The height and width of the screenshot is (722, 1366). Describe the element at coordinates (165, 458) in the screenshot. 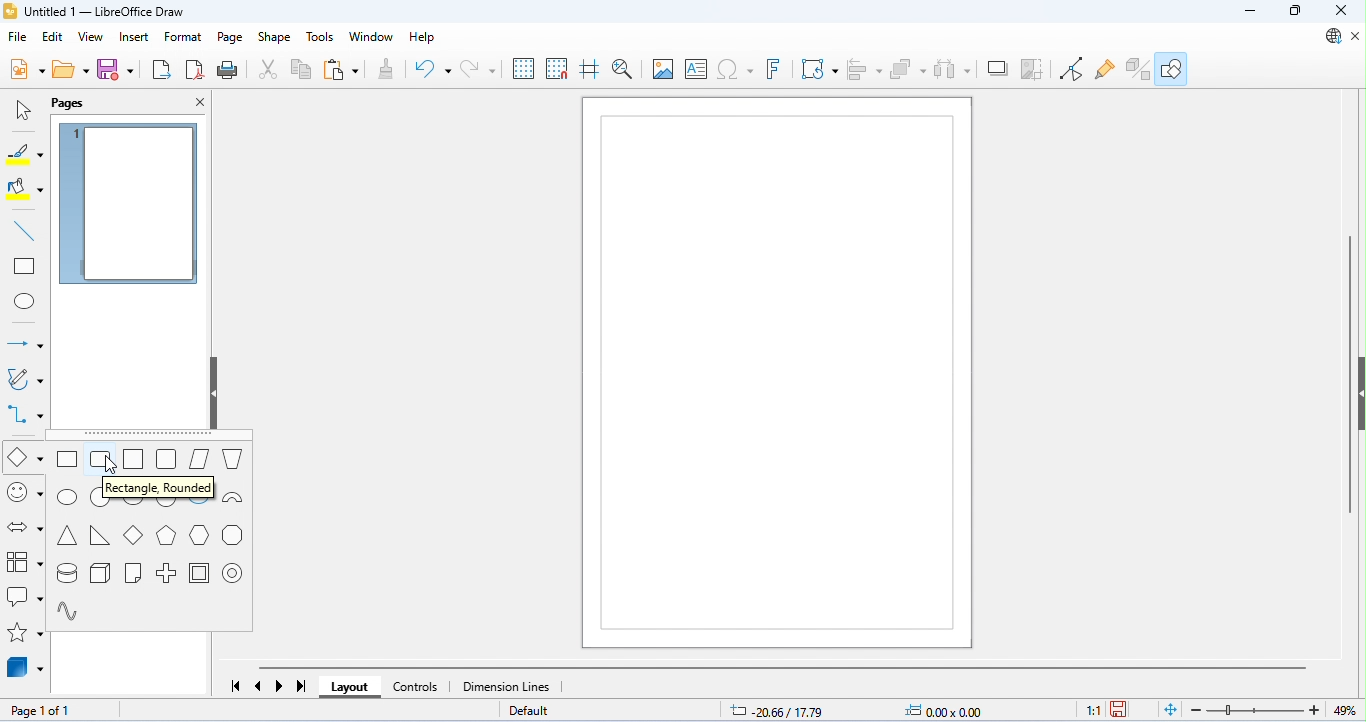

I see `rounded square` at that location.